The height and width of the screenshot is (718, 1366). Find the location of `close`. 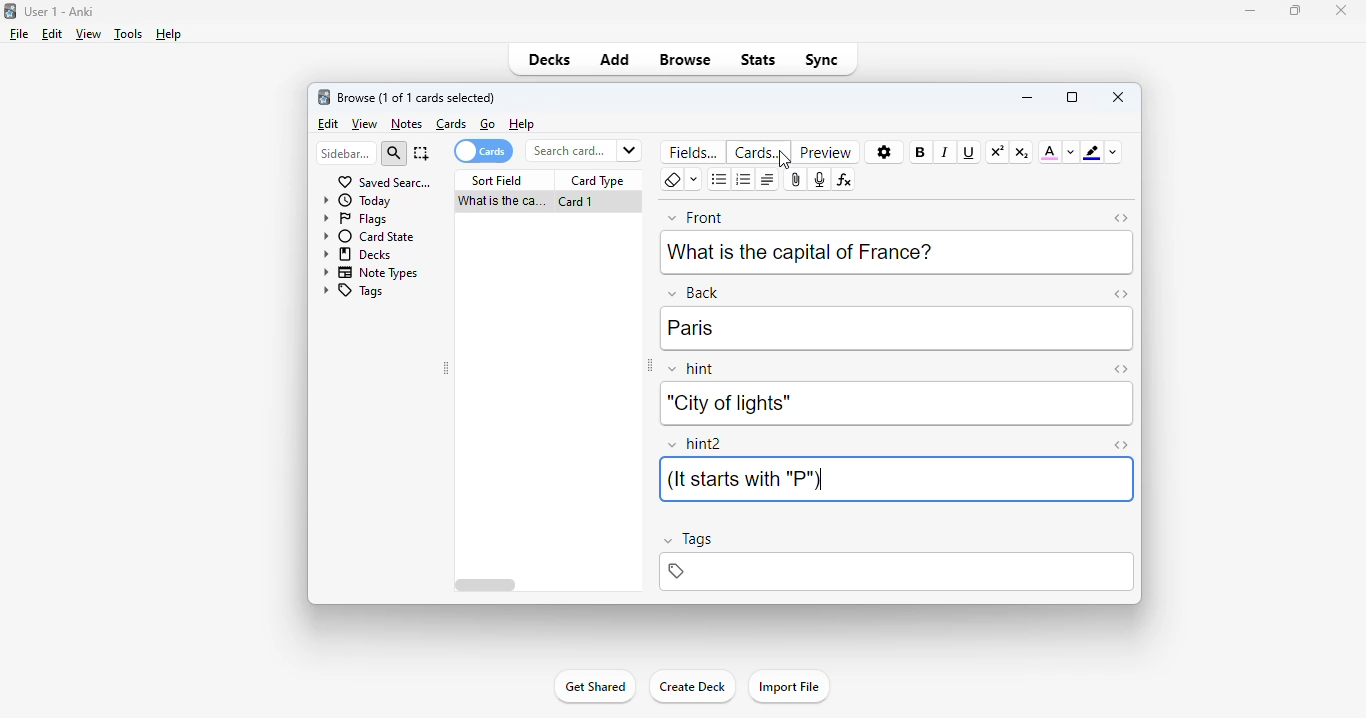

close is located at coordinates (1341, 10).